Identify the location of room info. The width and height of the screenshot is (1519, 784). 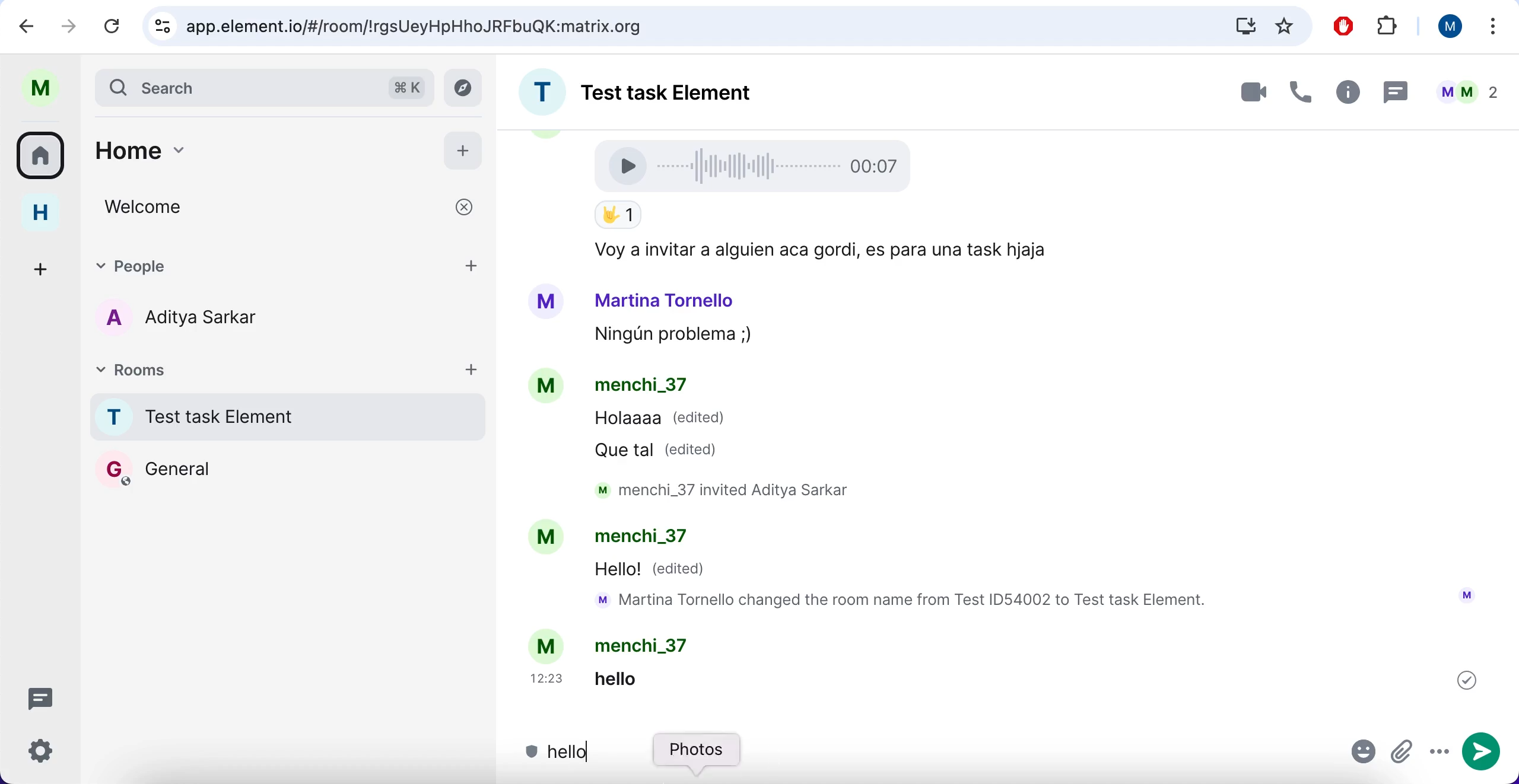
(1345, 94).